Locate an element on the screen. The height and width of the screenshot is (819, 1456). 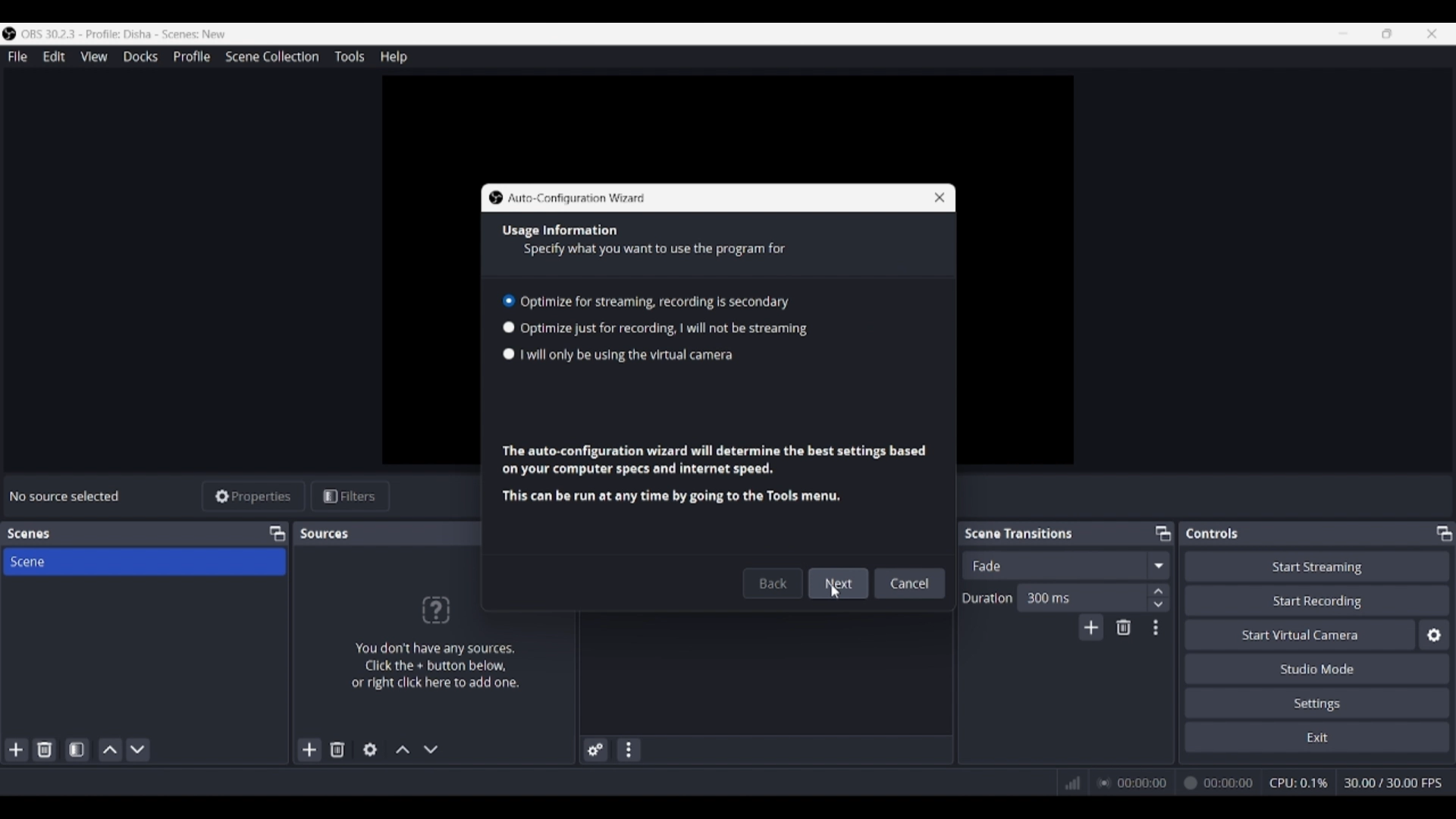
Fade options is located at coordinates (1158, 565).